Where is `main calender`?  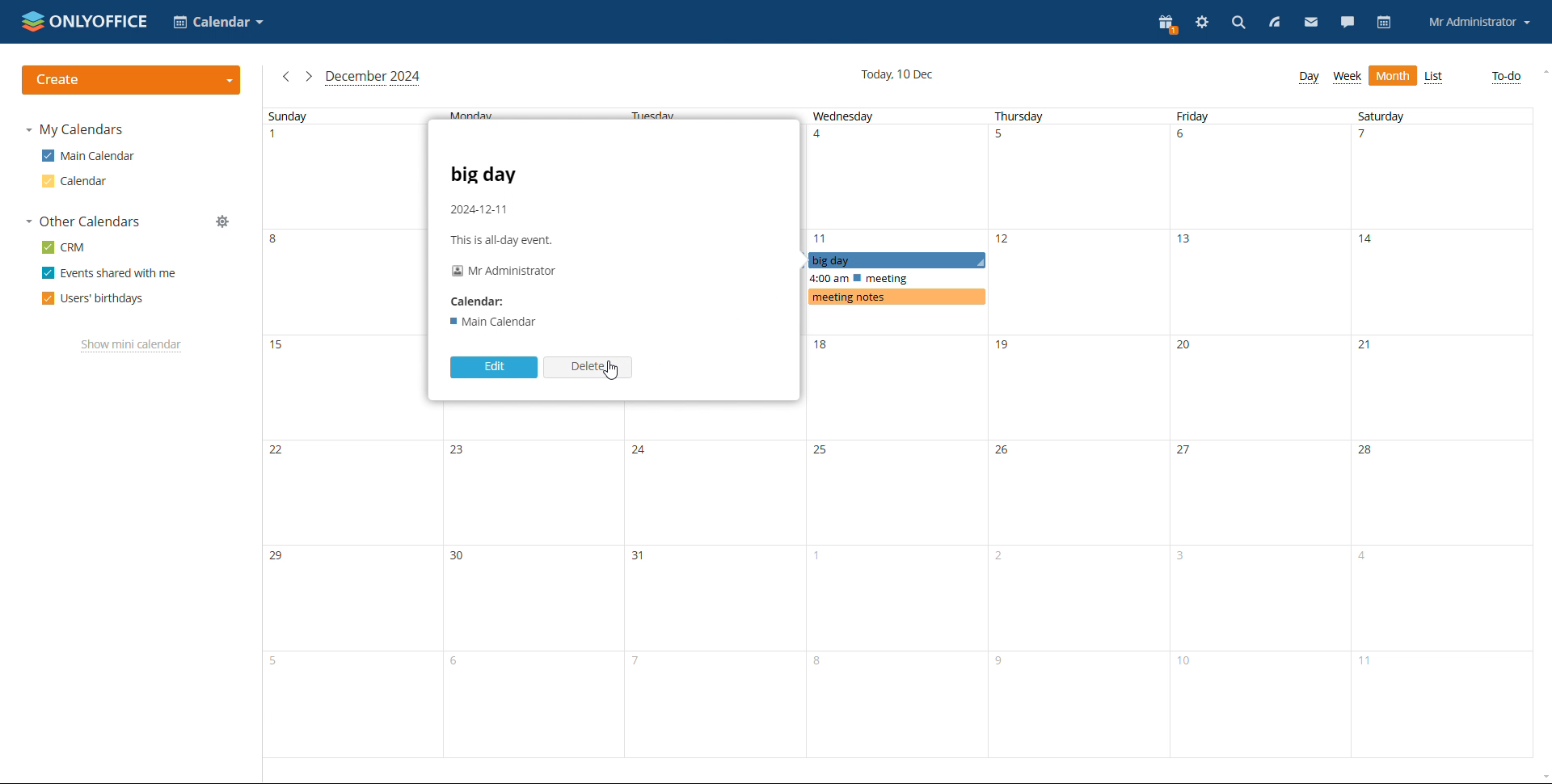 main calender is located at coordinates (495, 322).